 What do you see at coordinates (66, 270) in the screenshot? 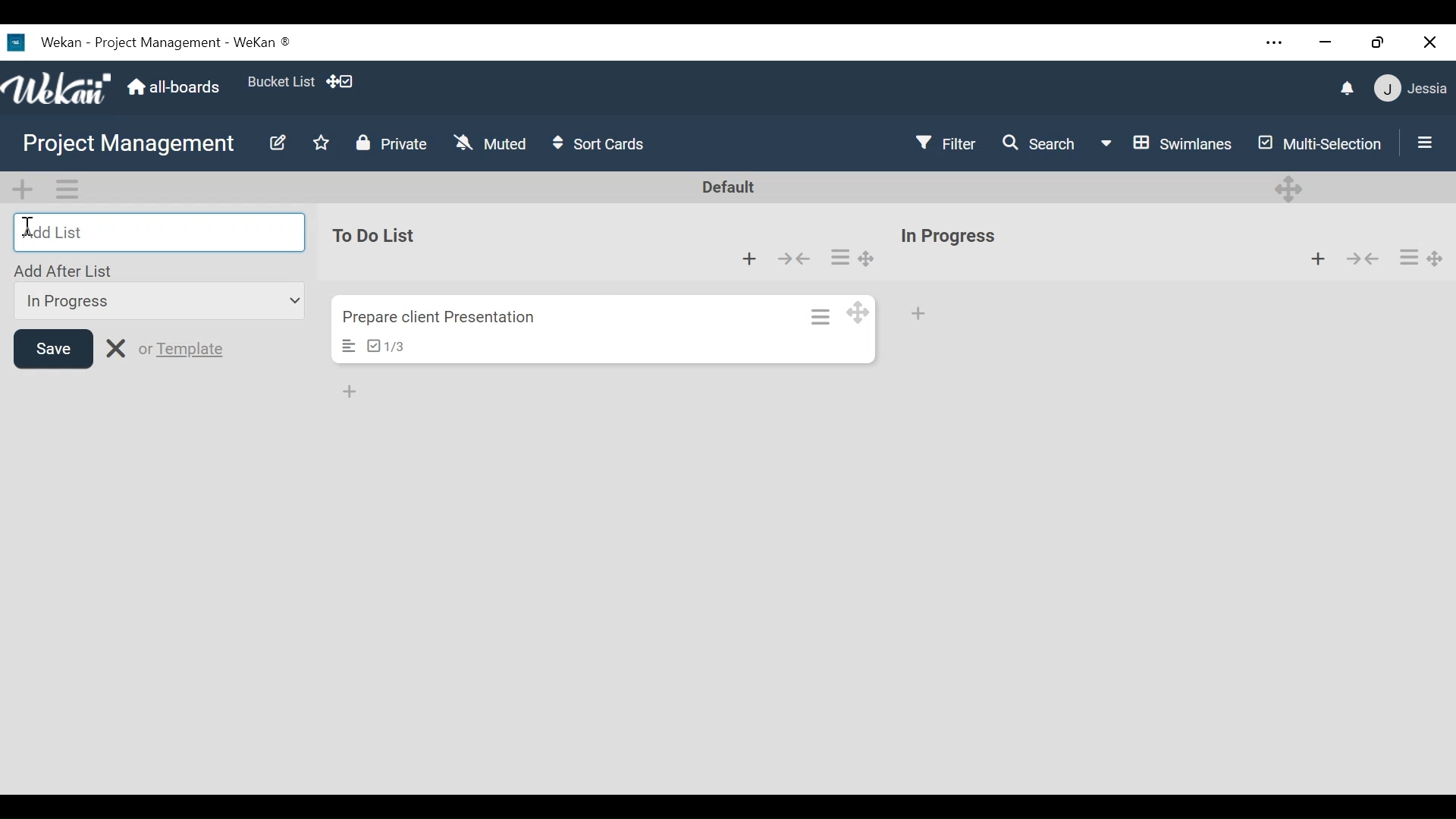
I see `Add After list` at bounding box center [66, 270].